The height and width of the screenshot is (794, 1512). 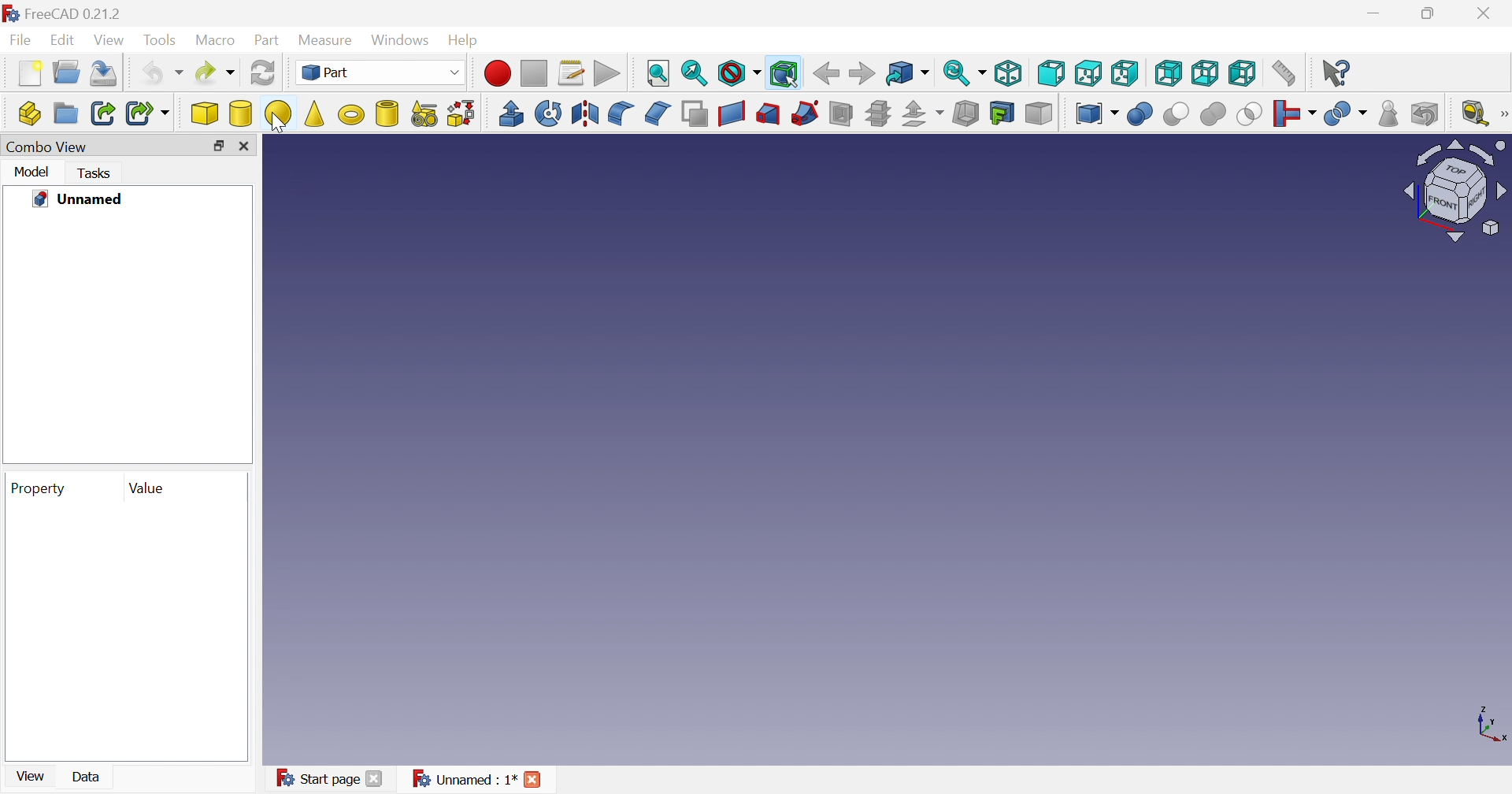 What do you see at coordinates (161, 40) in the screenshot?
I see `Tools` at bounding box center [161, 40].